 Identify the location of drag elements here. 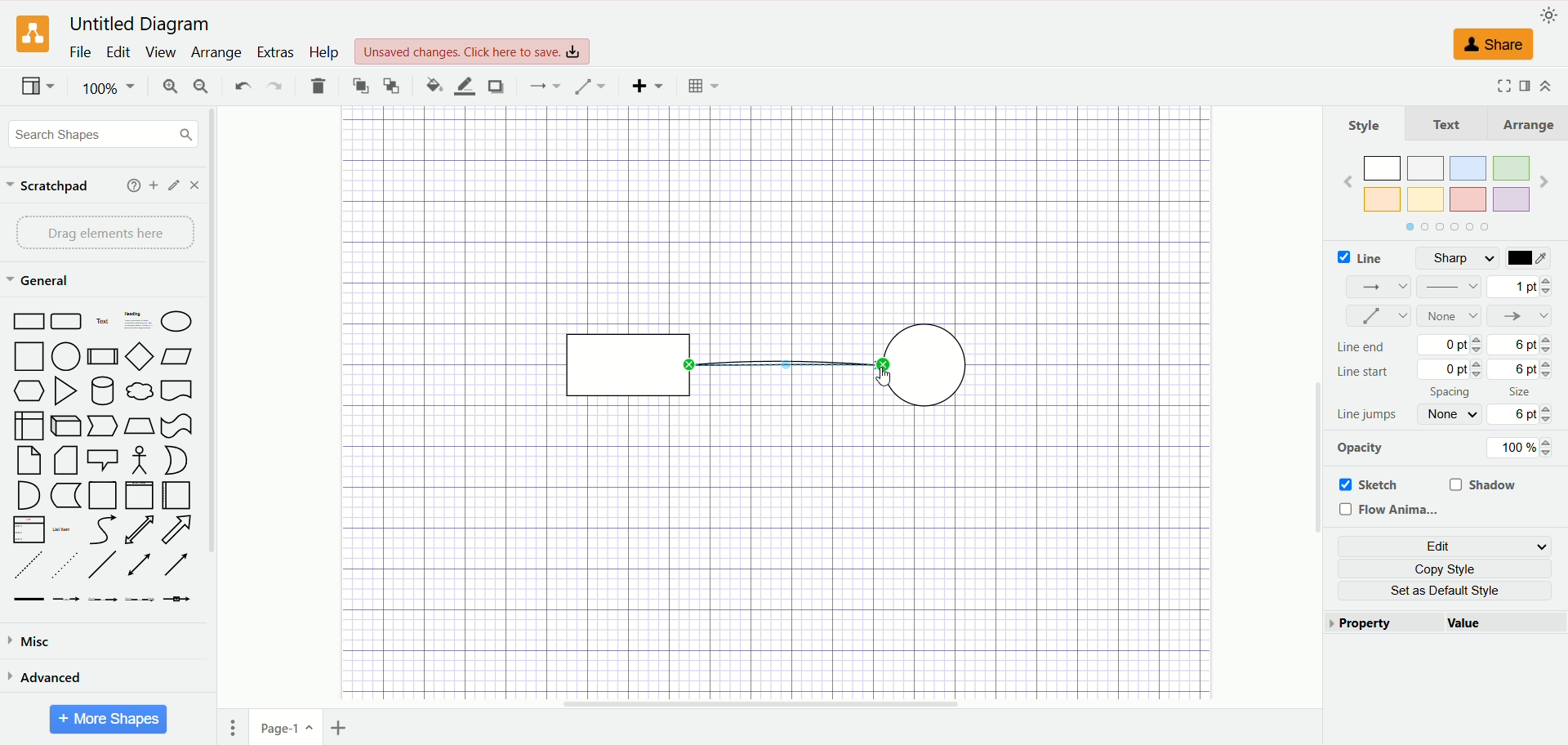
(105, 232).